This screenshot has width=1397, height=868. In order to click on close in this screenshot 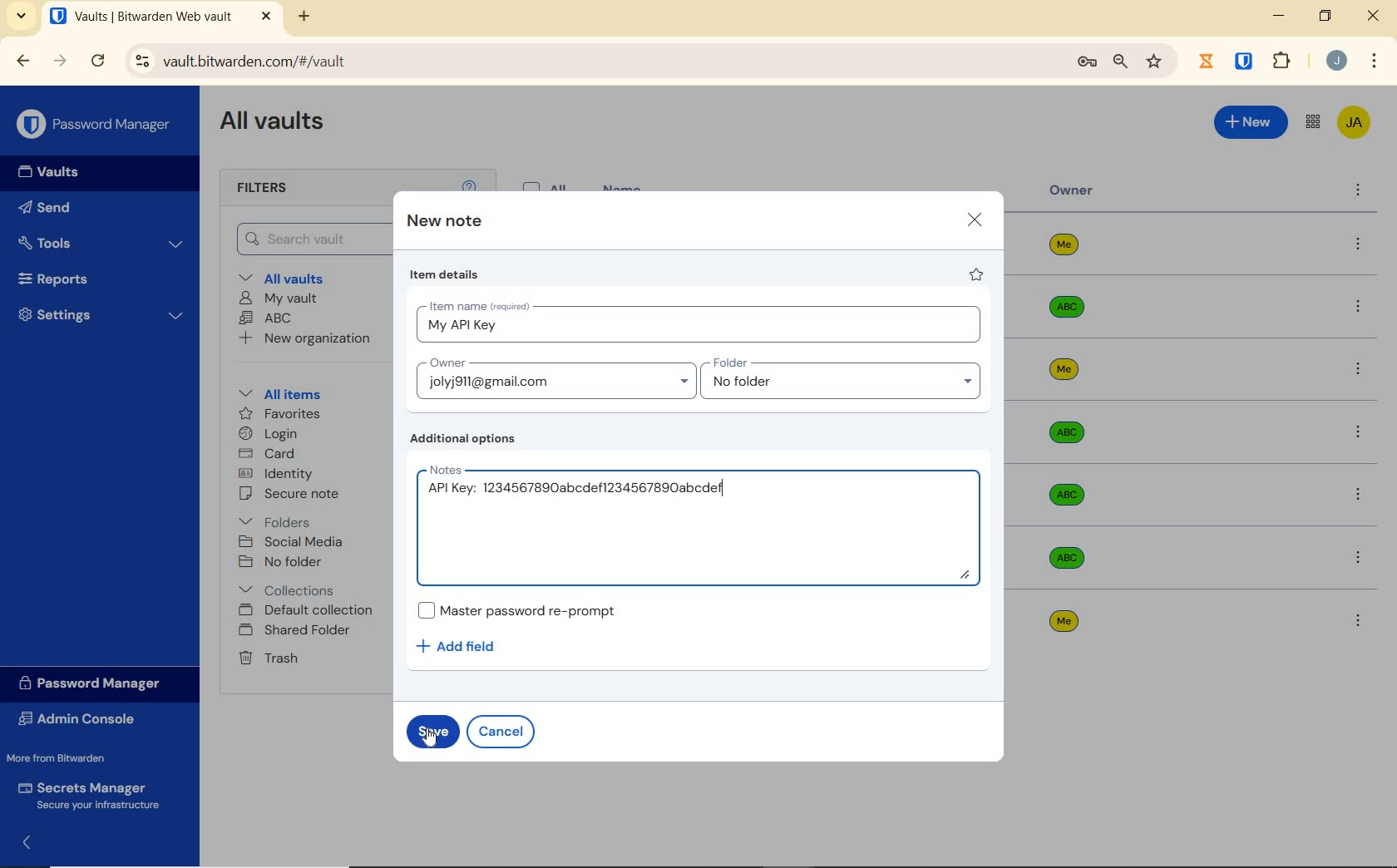, I will do `click(975, 219)`.